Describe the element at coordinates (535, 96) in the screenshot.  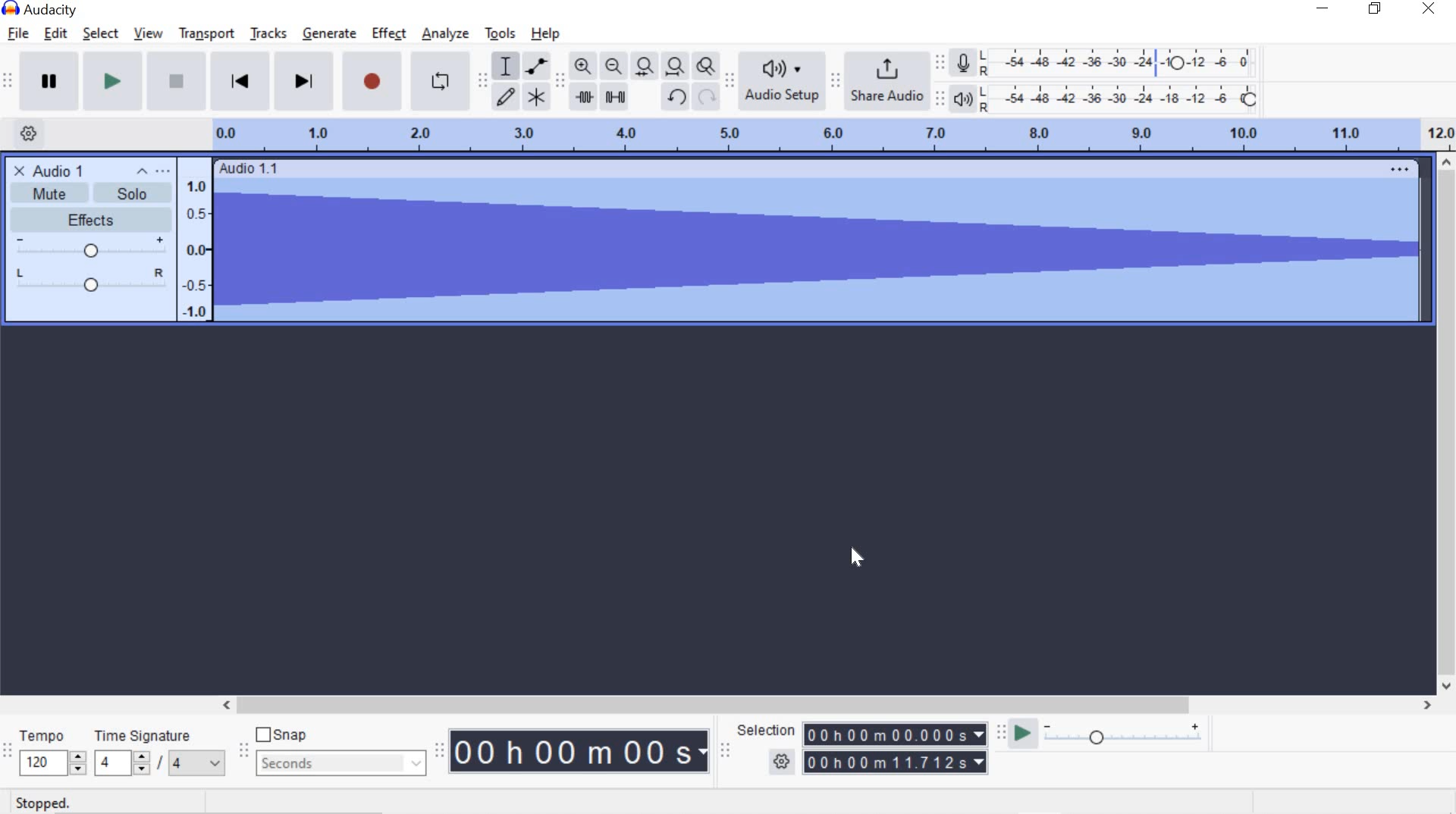
I see `Multi-tool` at that location.